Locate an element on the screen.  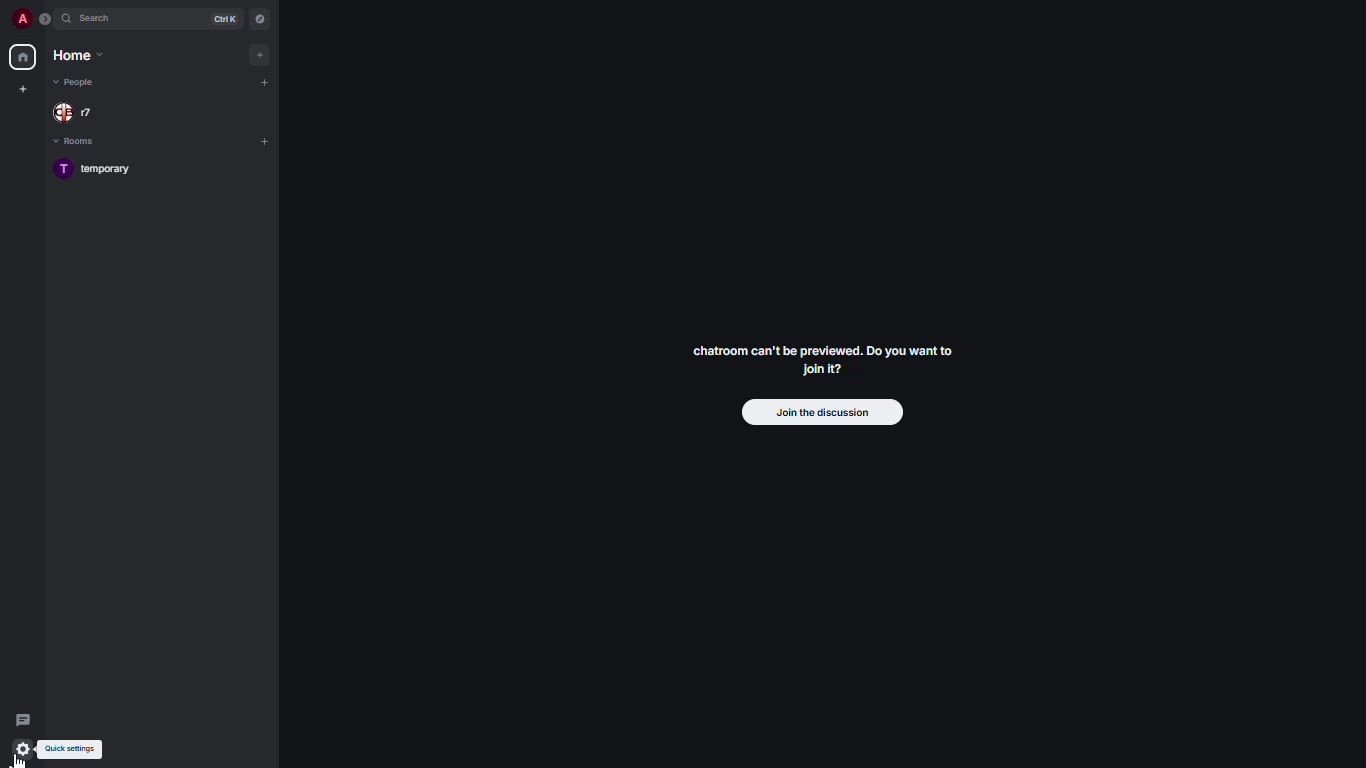
quick settings is located at coordinates (23, 750).